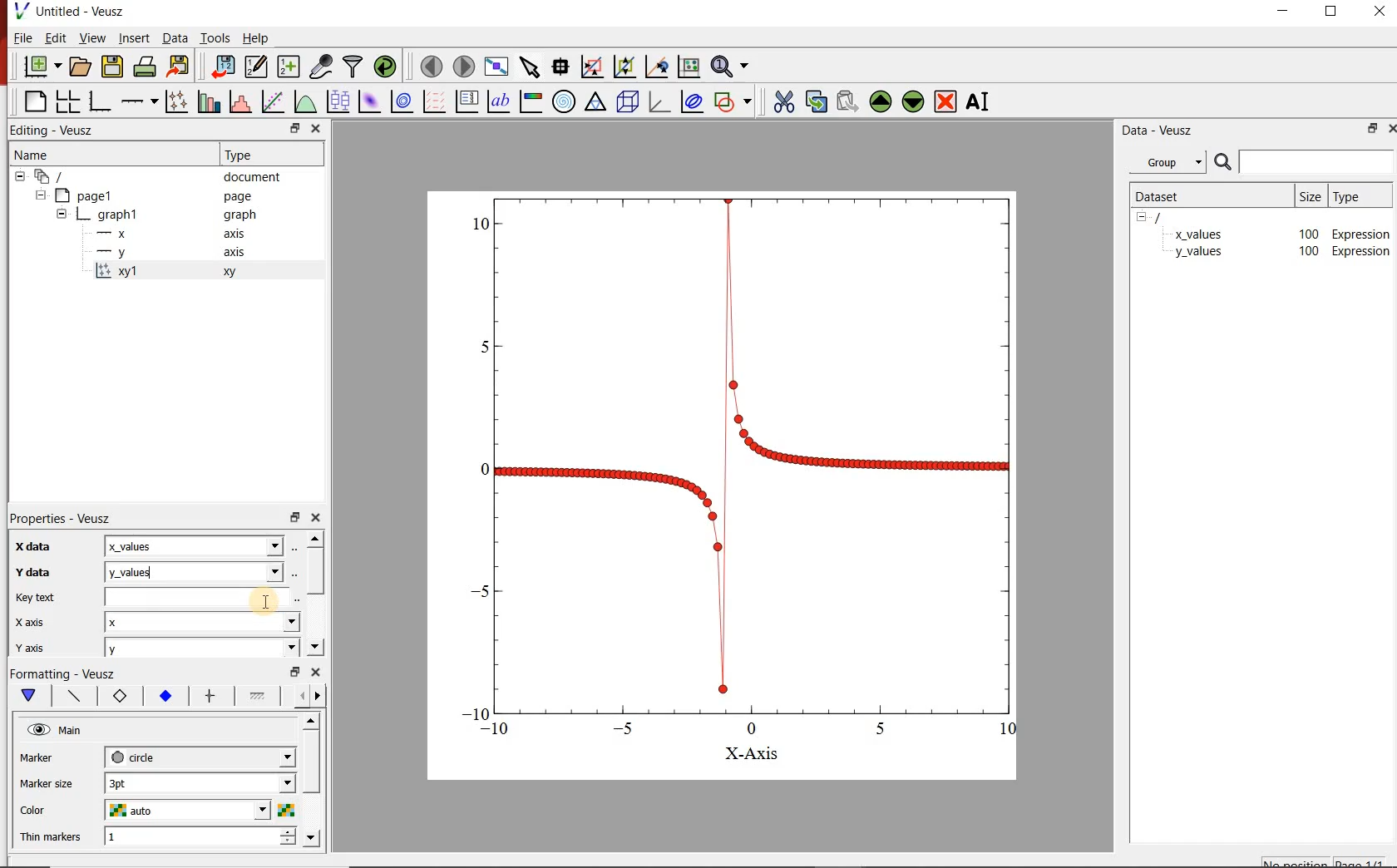 This screenshot has width=1397, height=868. I want to click on new document, so click(42, 65).